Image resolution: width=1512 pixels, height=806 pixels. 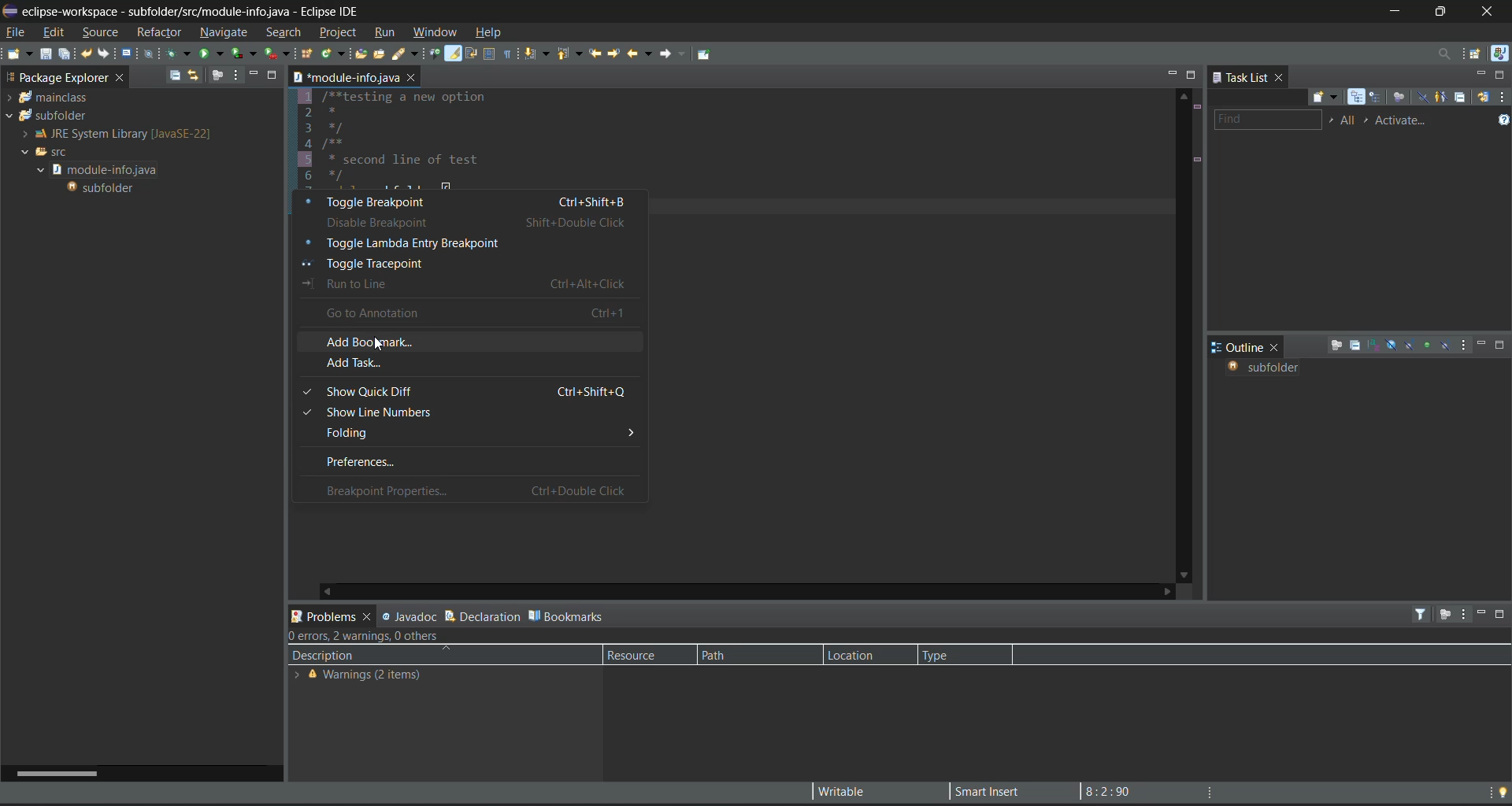 What do you see at coordinates (52, 31) in the screenshot?
I see `edit` at bounding box center [52, 31].